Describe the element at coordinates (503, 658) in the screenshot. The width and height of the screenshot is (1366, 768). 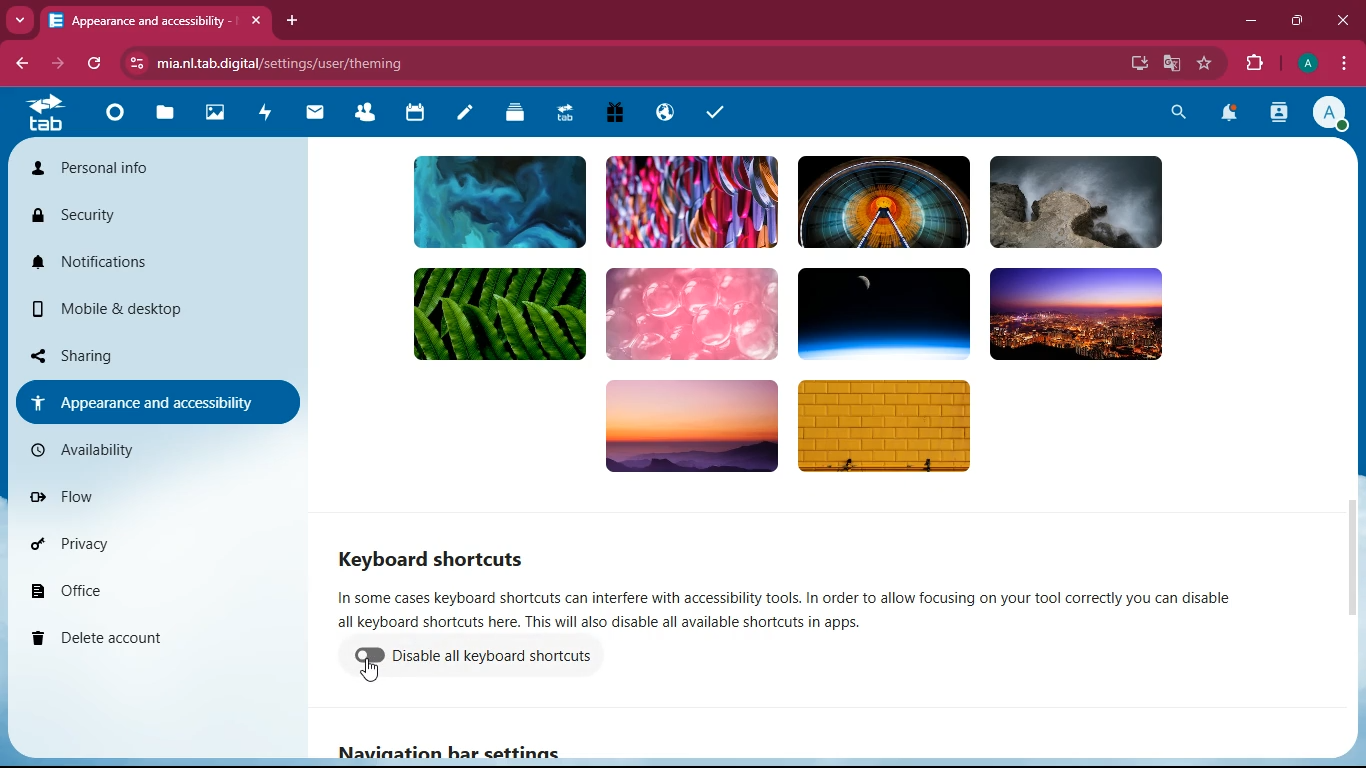
I see `disable` at that location.